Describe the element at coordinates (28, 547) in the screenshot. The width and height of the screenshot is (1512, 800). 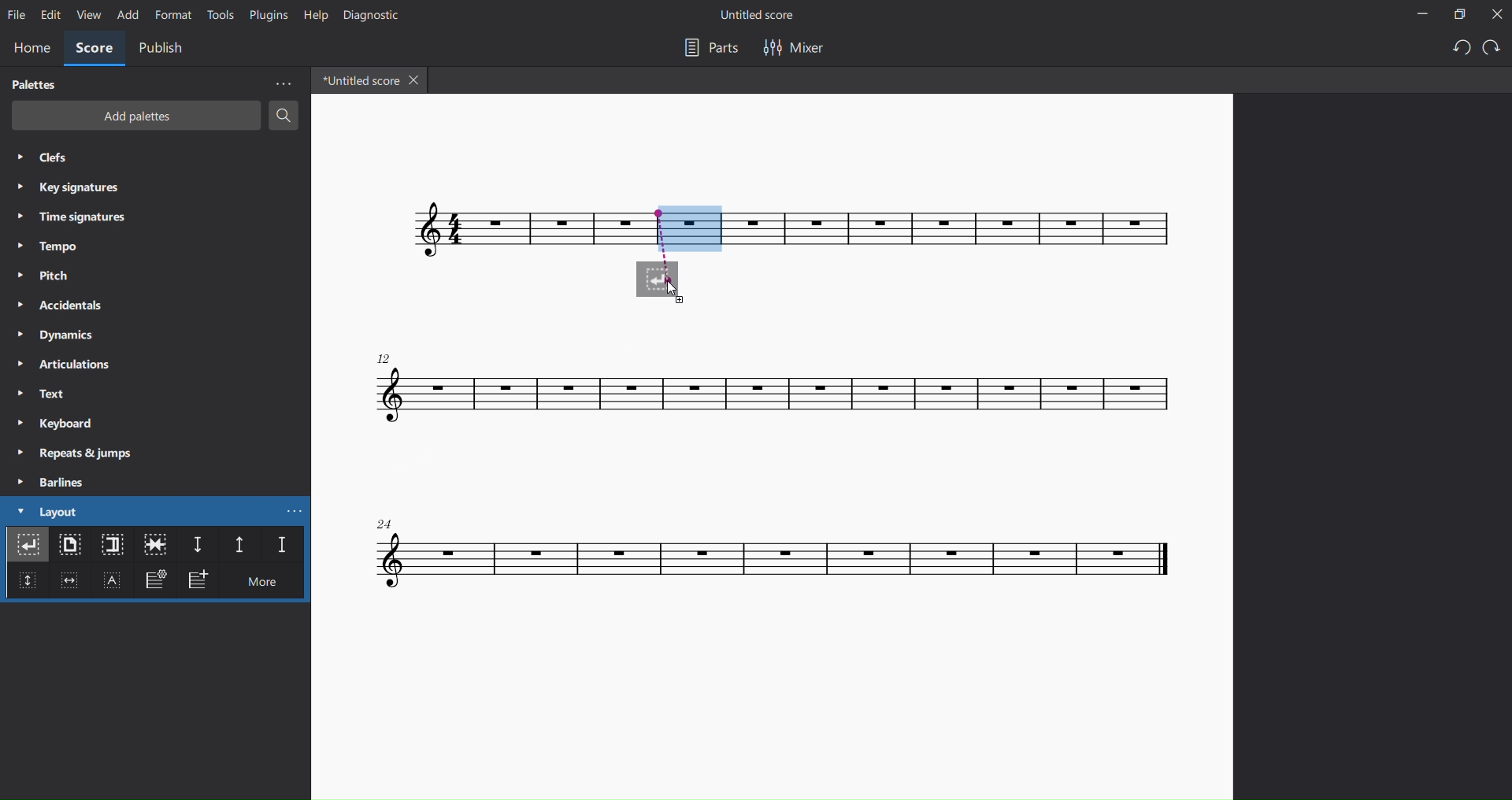
I see `system break layout` at that location.